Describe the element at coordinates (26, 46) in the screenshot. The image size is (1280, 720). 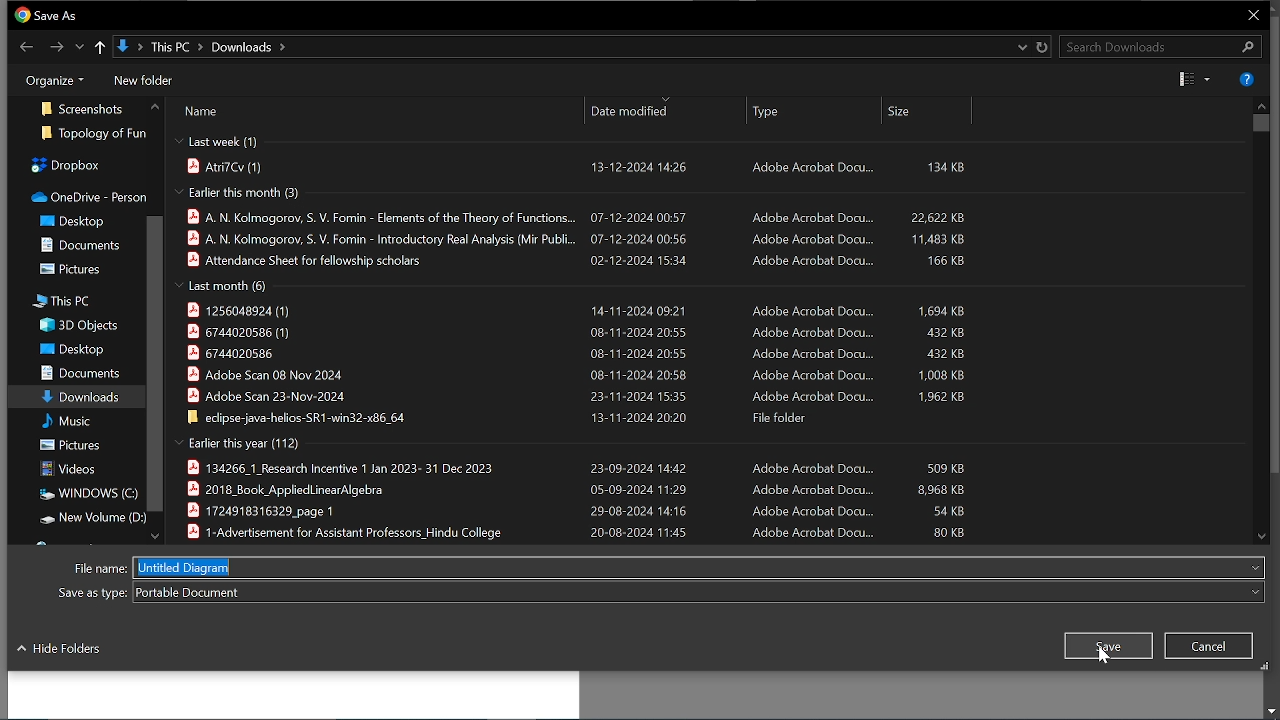
I see `Previous` at that location.